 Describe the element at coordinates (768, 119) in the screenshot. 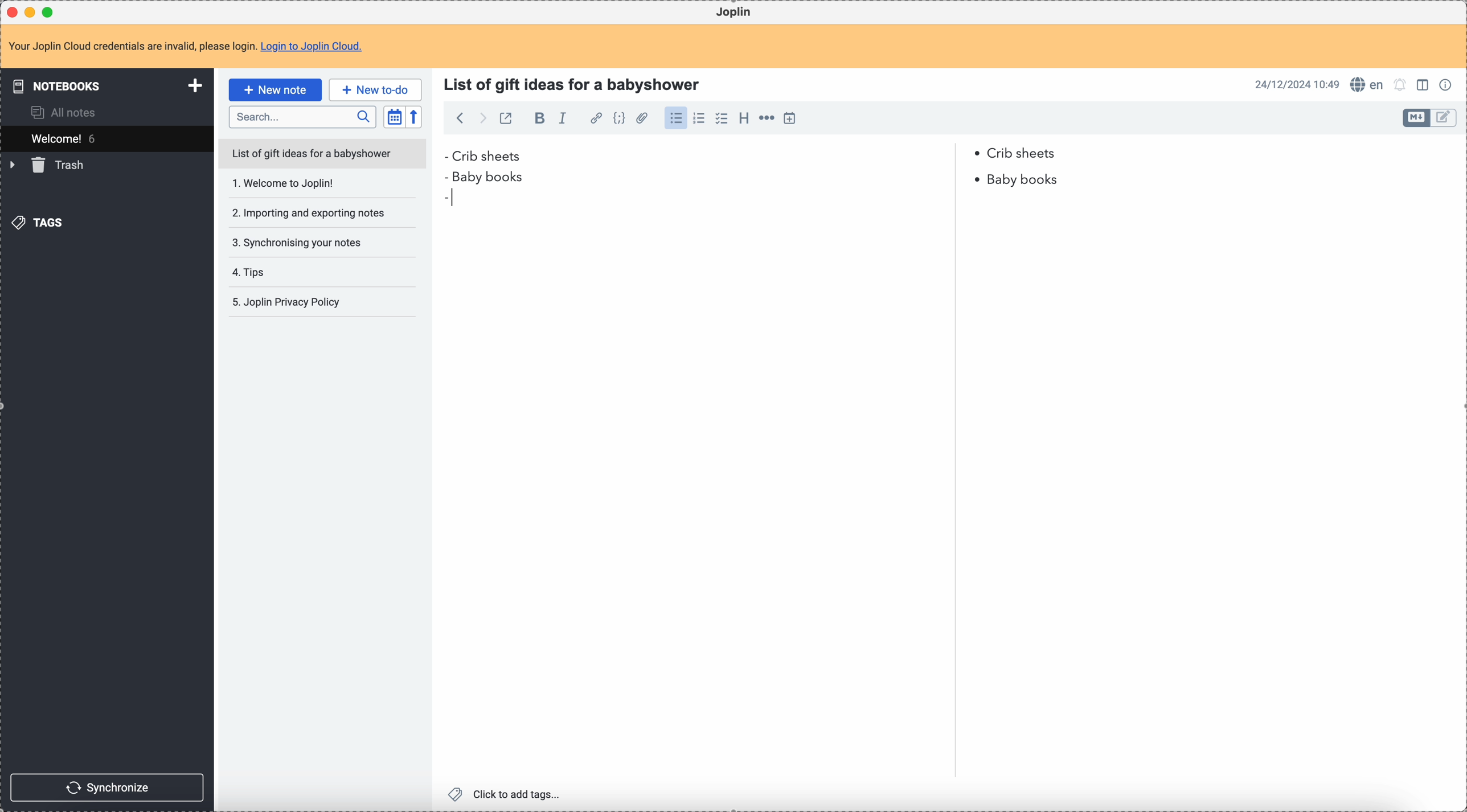

I see `horizontal rule` at that location.